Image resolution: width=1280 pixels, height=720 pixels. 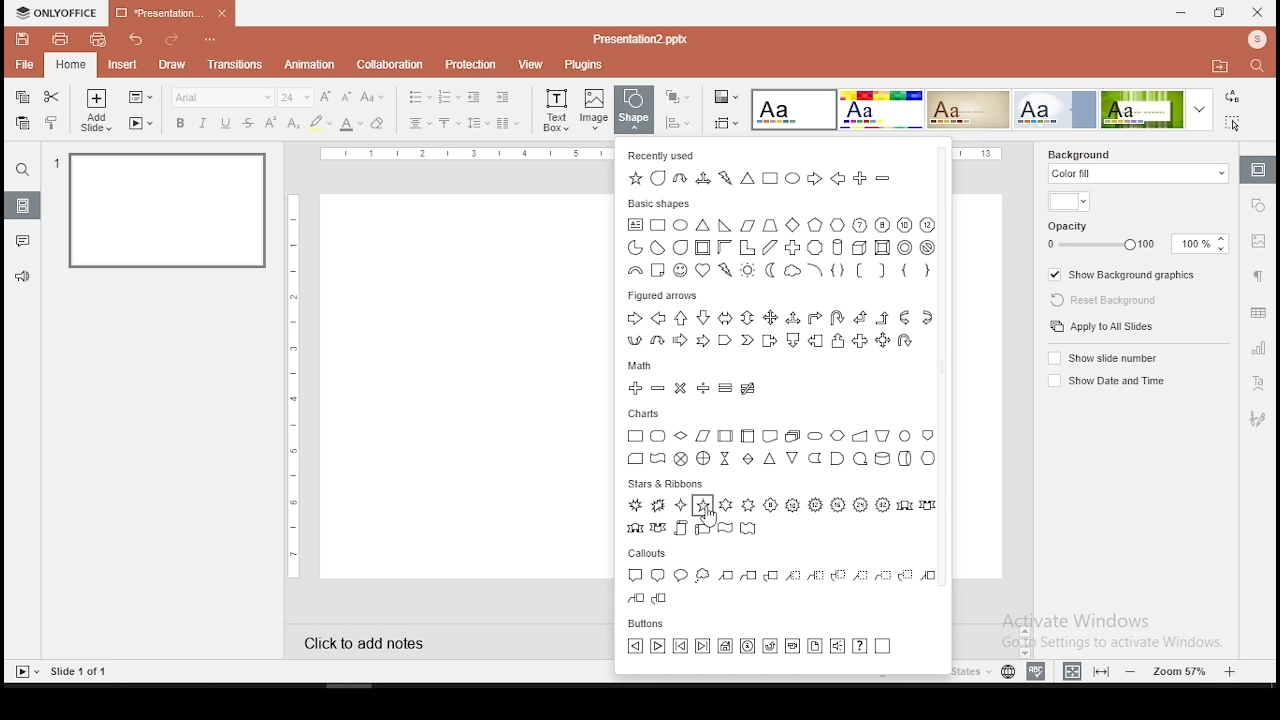 What do you see at coordinates (968, 110) in the screenshot?
I see `theme` at bounding box center [968, 110].